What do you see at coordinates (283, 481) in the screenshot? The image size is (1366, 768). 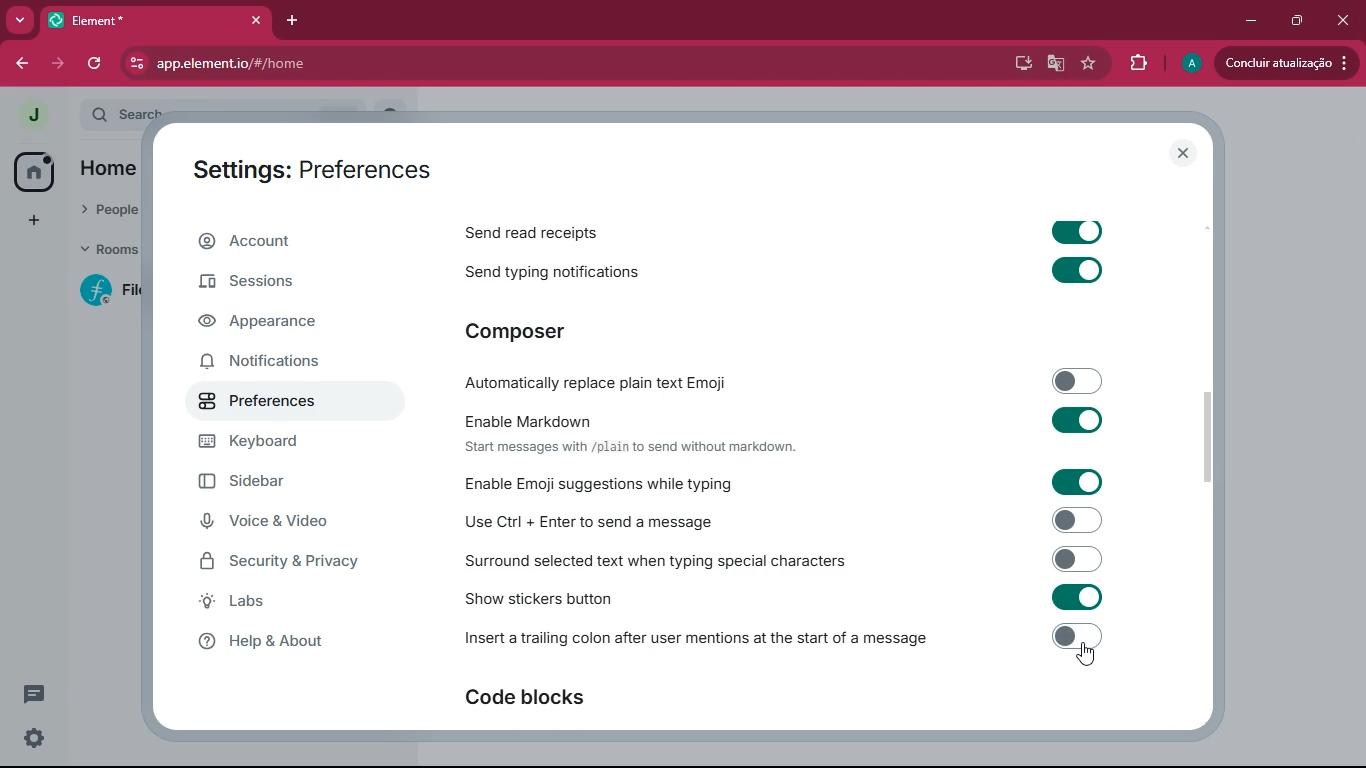 I see `sidebar` at bounding box center [283, 481].